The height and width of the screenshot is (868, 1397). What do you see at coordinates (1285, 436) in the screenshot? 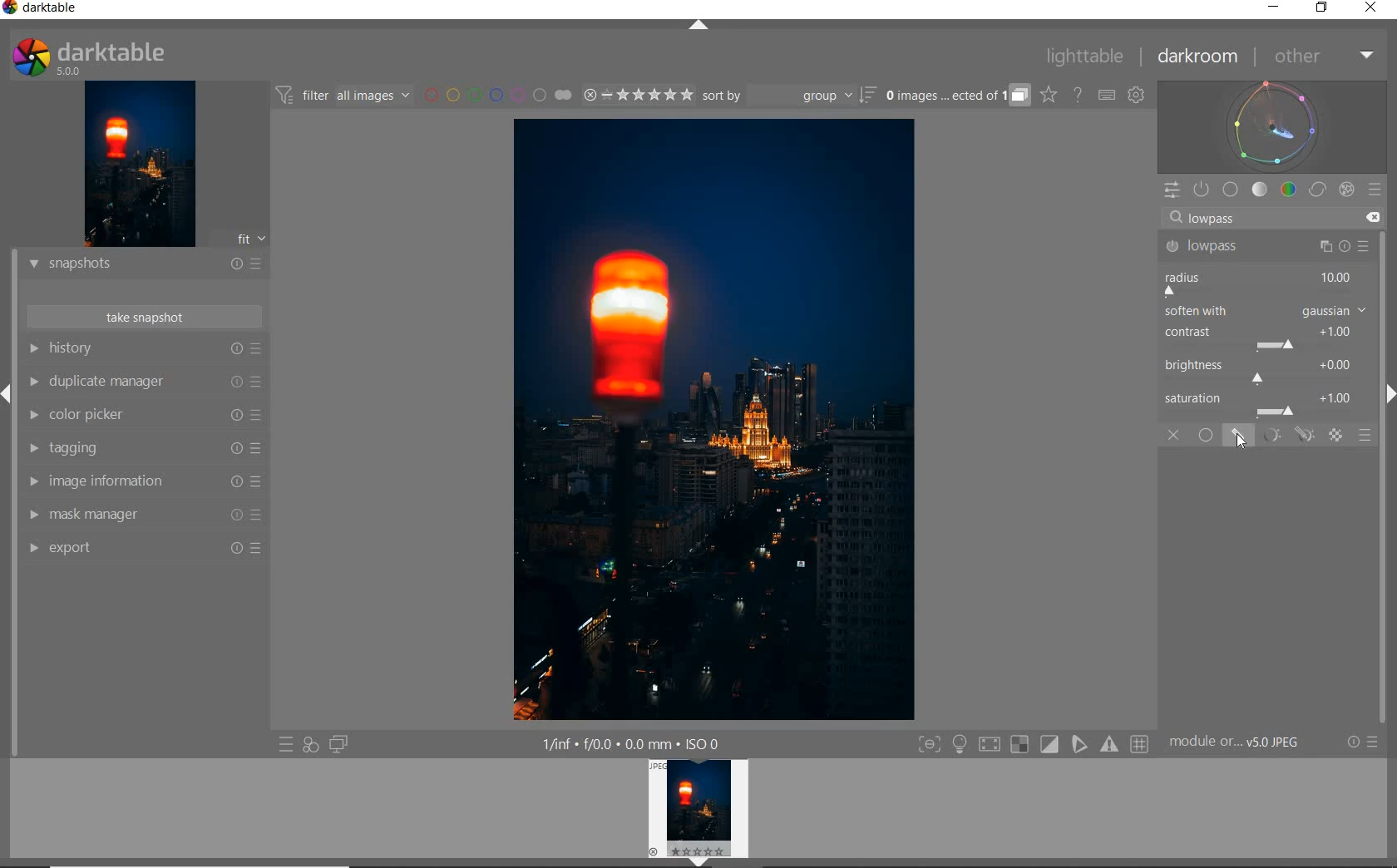
I see `MASK OPTIONS` at bounding box center [1285, 436].